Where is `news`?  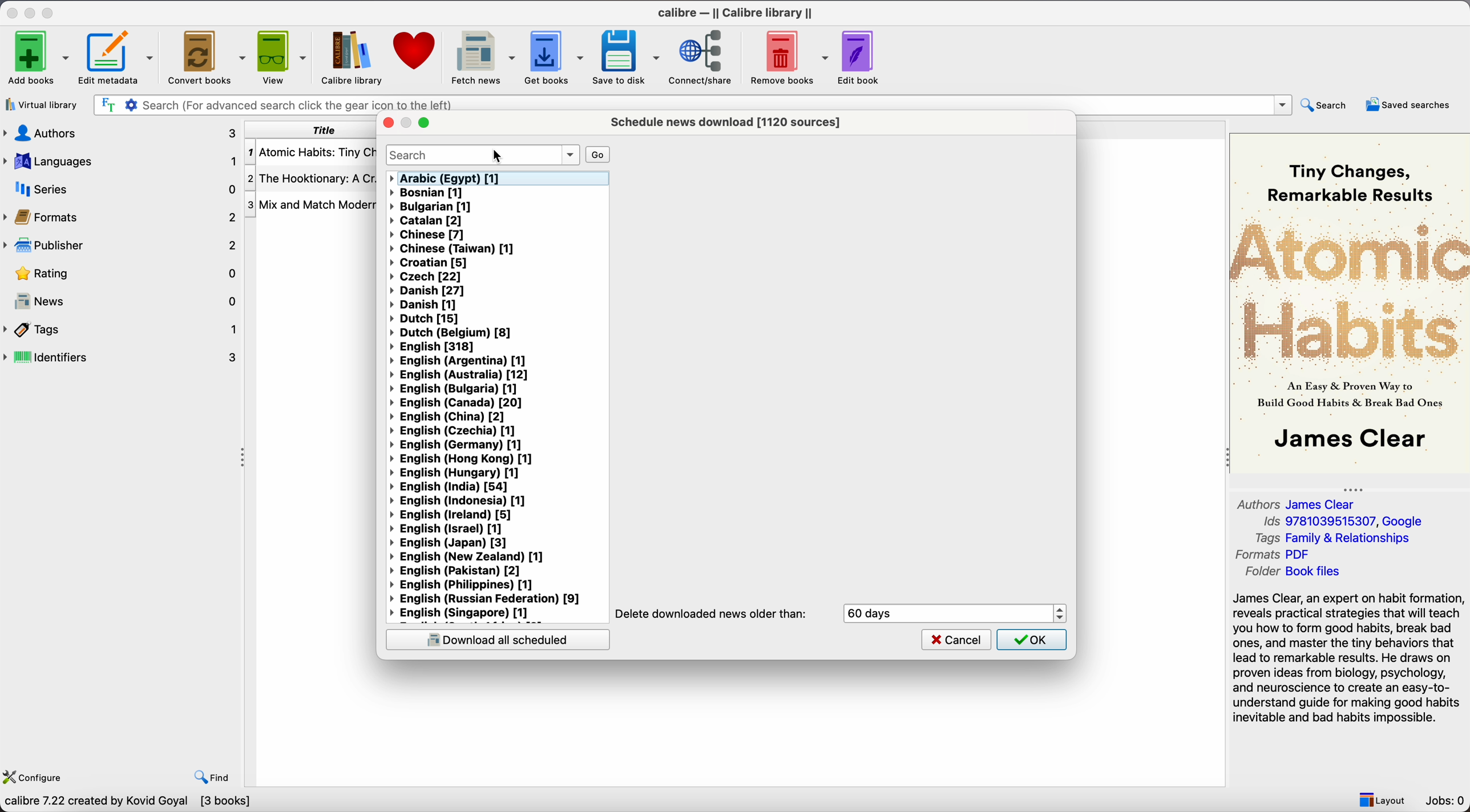
news is located at coordinates (122, 298).